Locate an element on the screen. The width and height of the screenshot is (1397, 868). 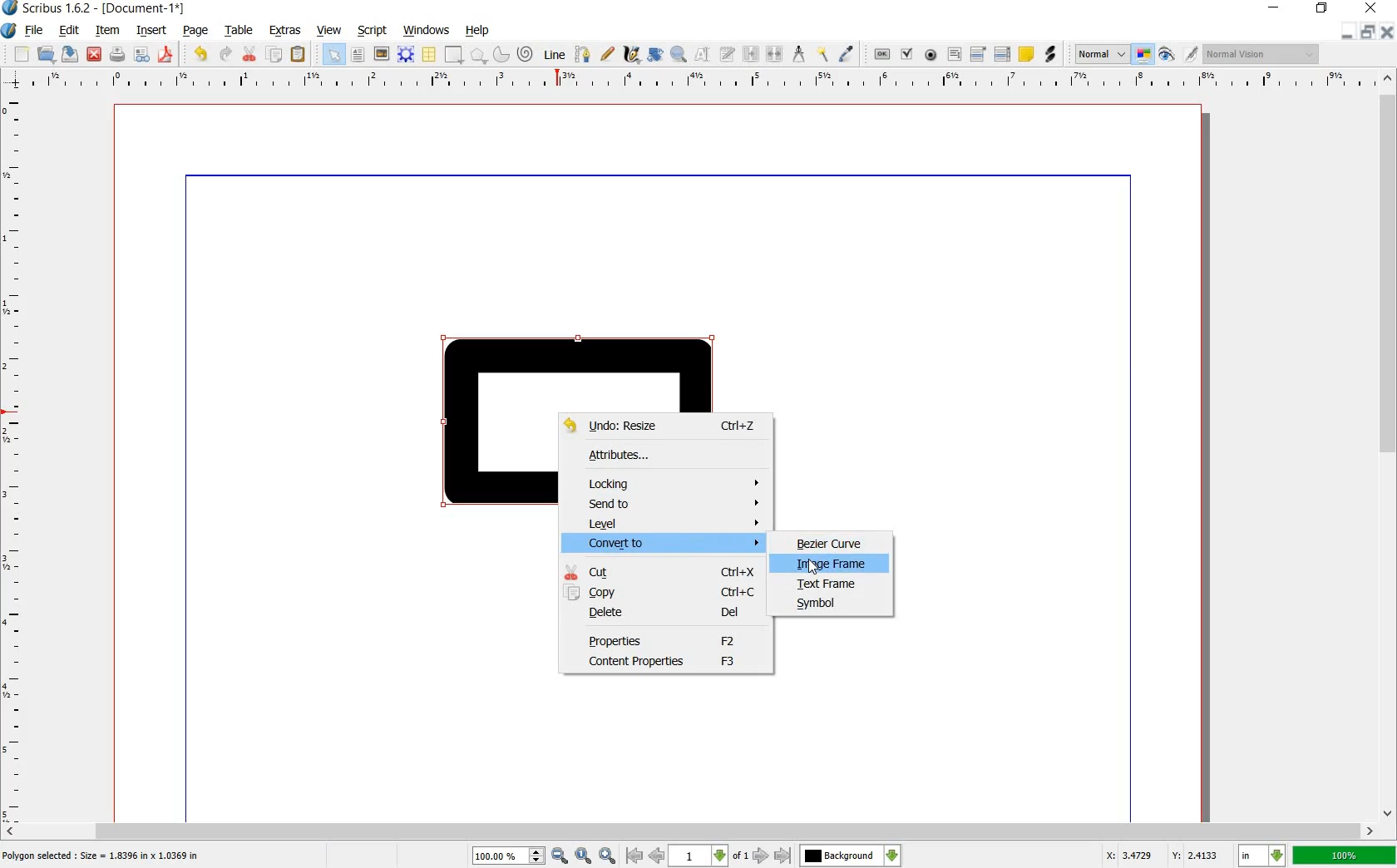
cut is located at coordinates (248, 55).